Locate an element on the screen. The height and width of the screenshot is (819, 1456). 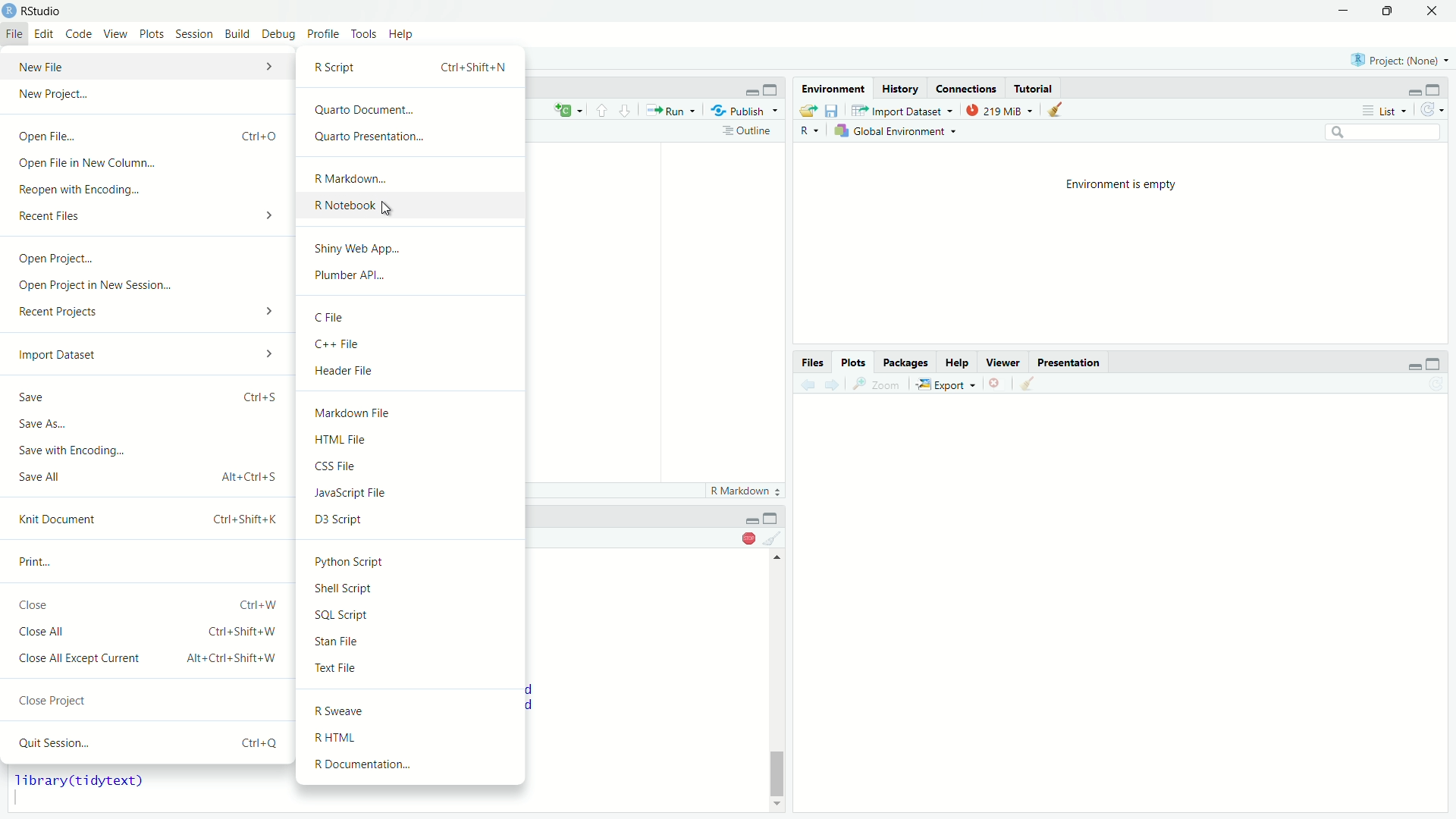
Run the current line is located at coordinates (671, 111).